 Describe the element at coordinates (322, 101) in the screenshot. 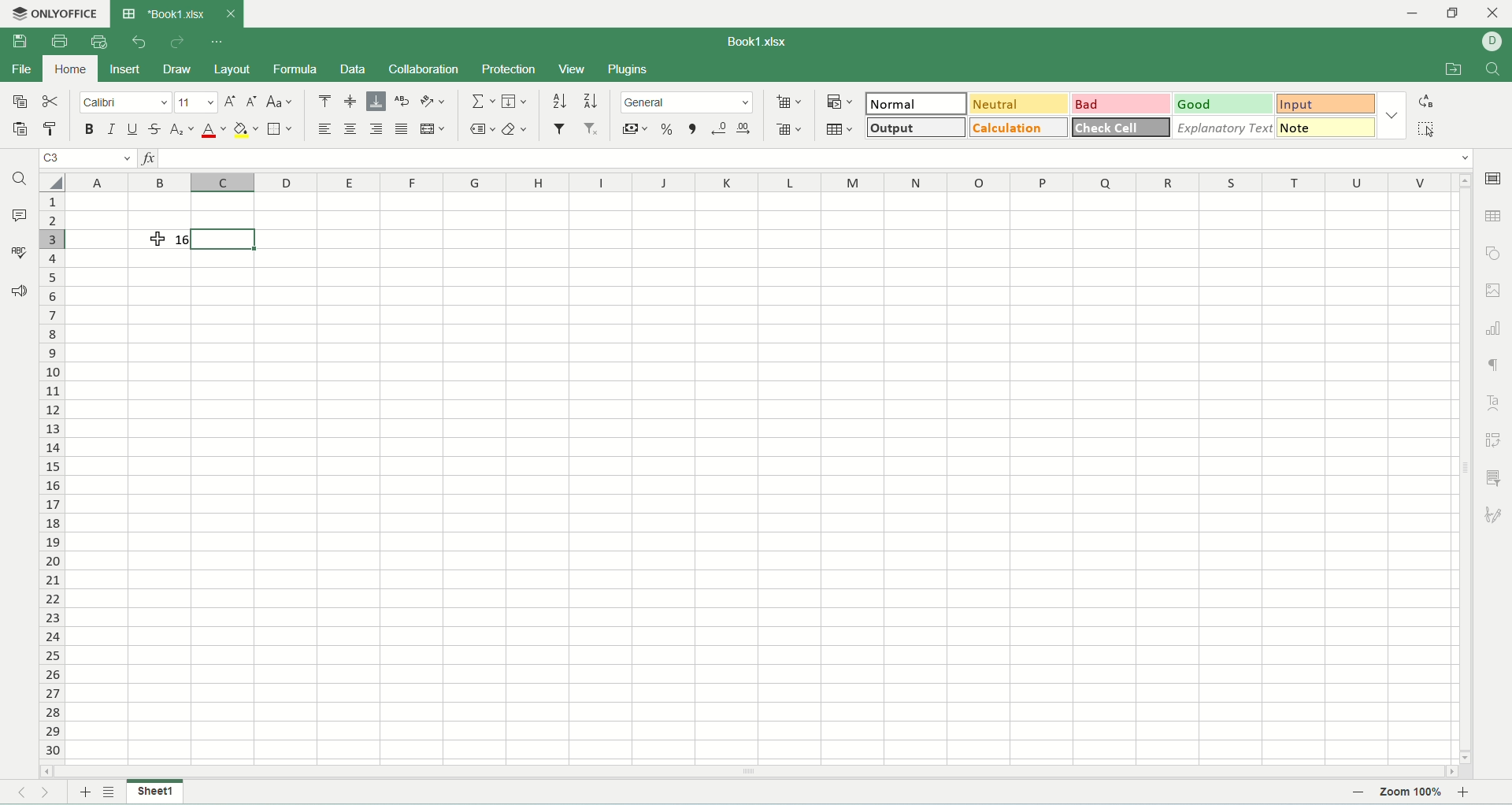

I see `align top` at that location.